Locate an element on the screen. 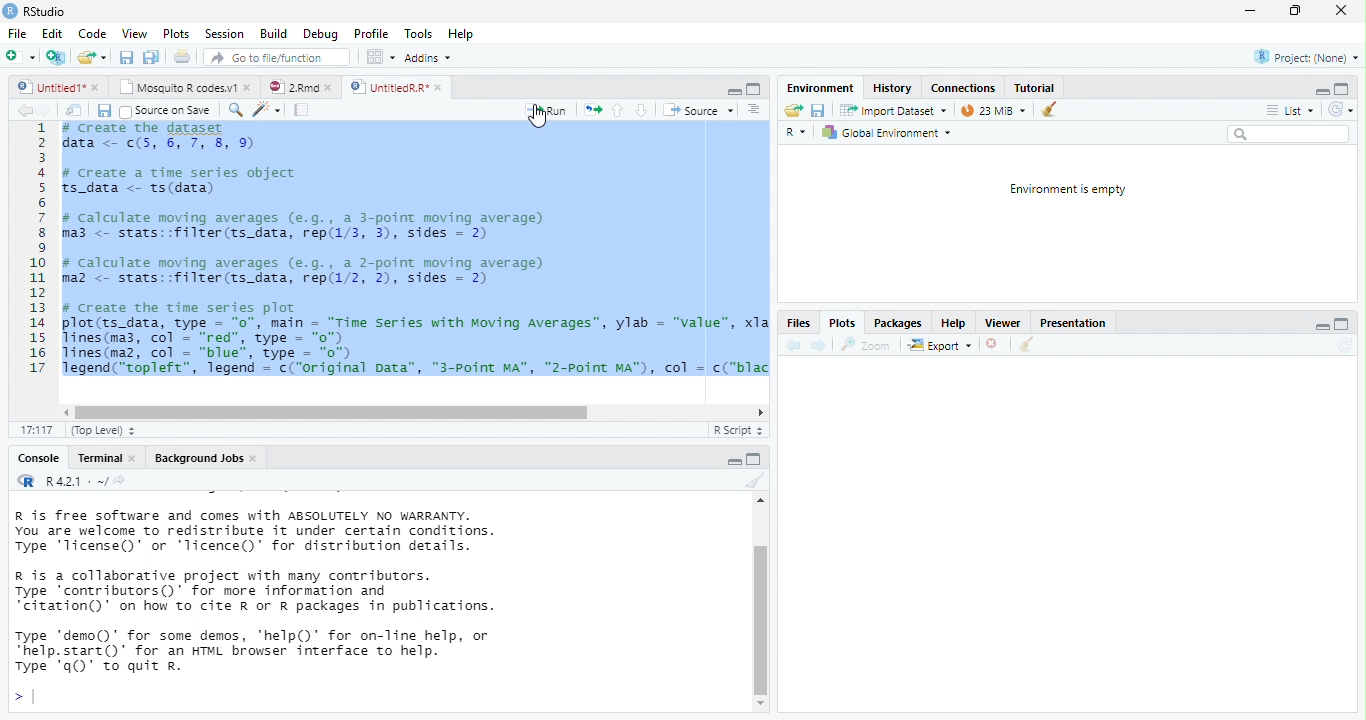  clear is located at coordinates (1025, 346).